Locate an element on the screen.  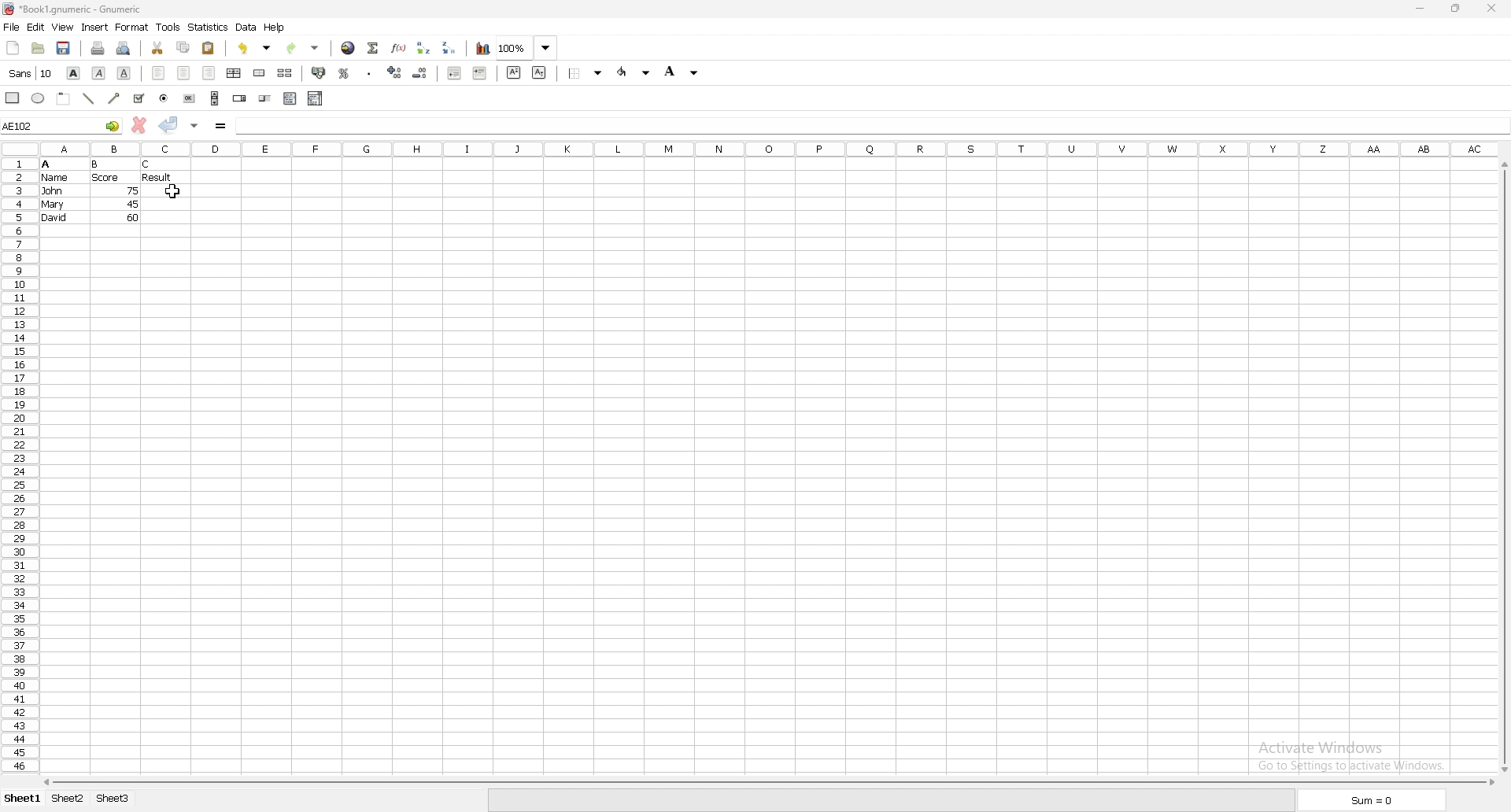
format is located at coordinates (132, 27).